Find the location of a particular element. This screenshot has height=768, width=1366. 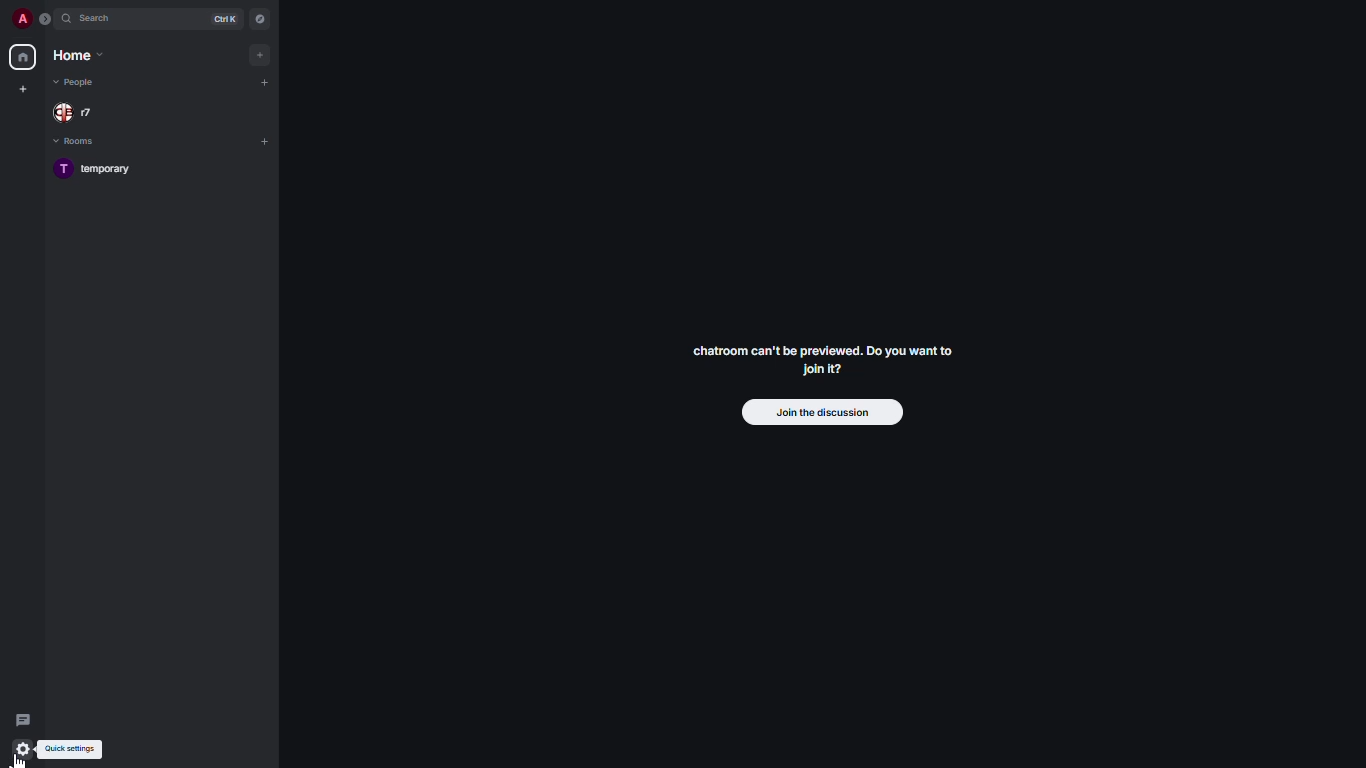

expand is located at coordinates (47, 20).